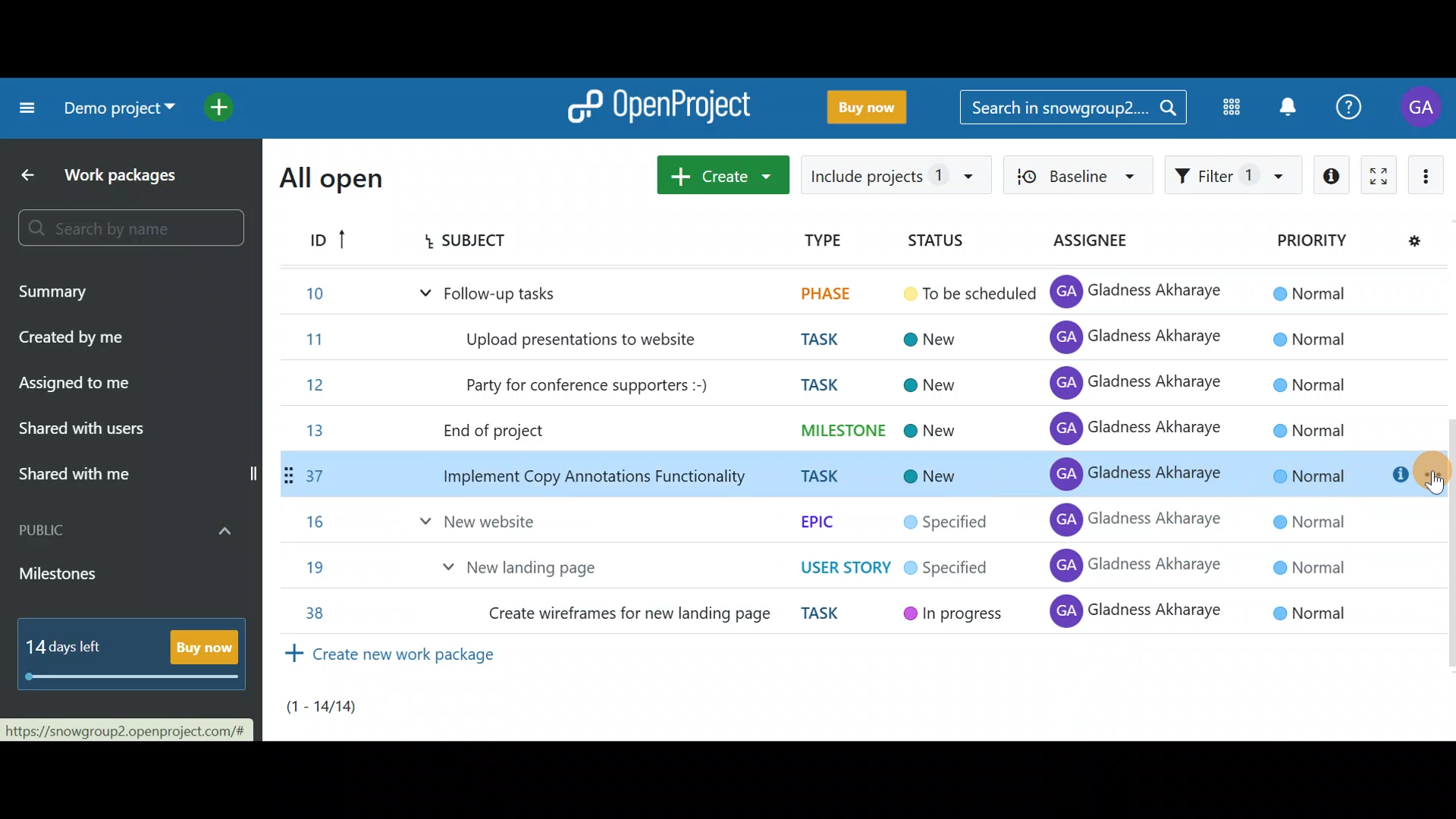 This screenshot has height=819, width=1456. Describe the element at coordinates (109, 173) in the screenshot. I see `Work packages` at that location.